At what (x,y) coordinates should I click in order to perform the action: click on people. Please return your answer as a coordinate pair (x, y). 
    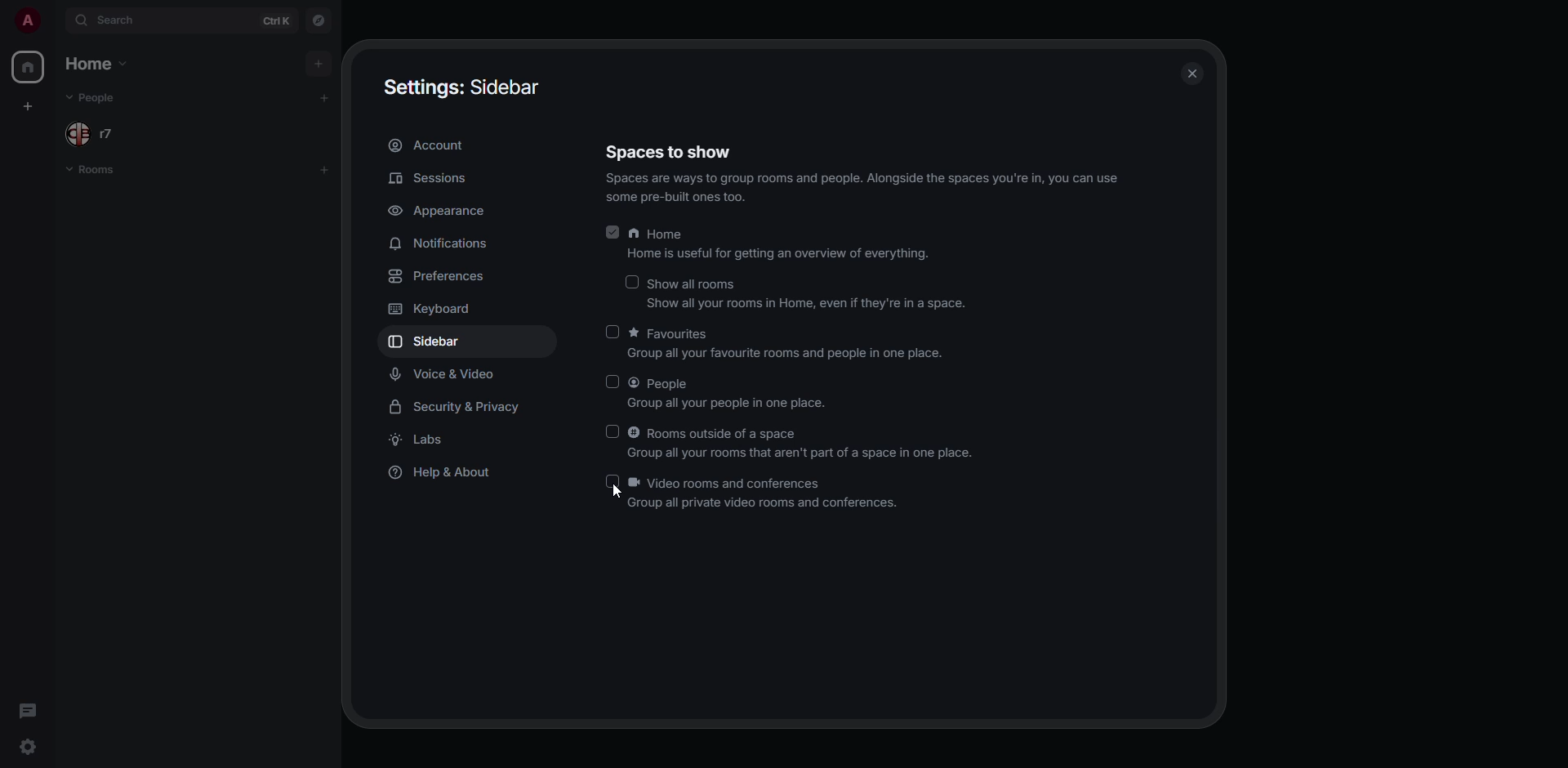
    Looking at the image, I should click on (91, 132).